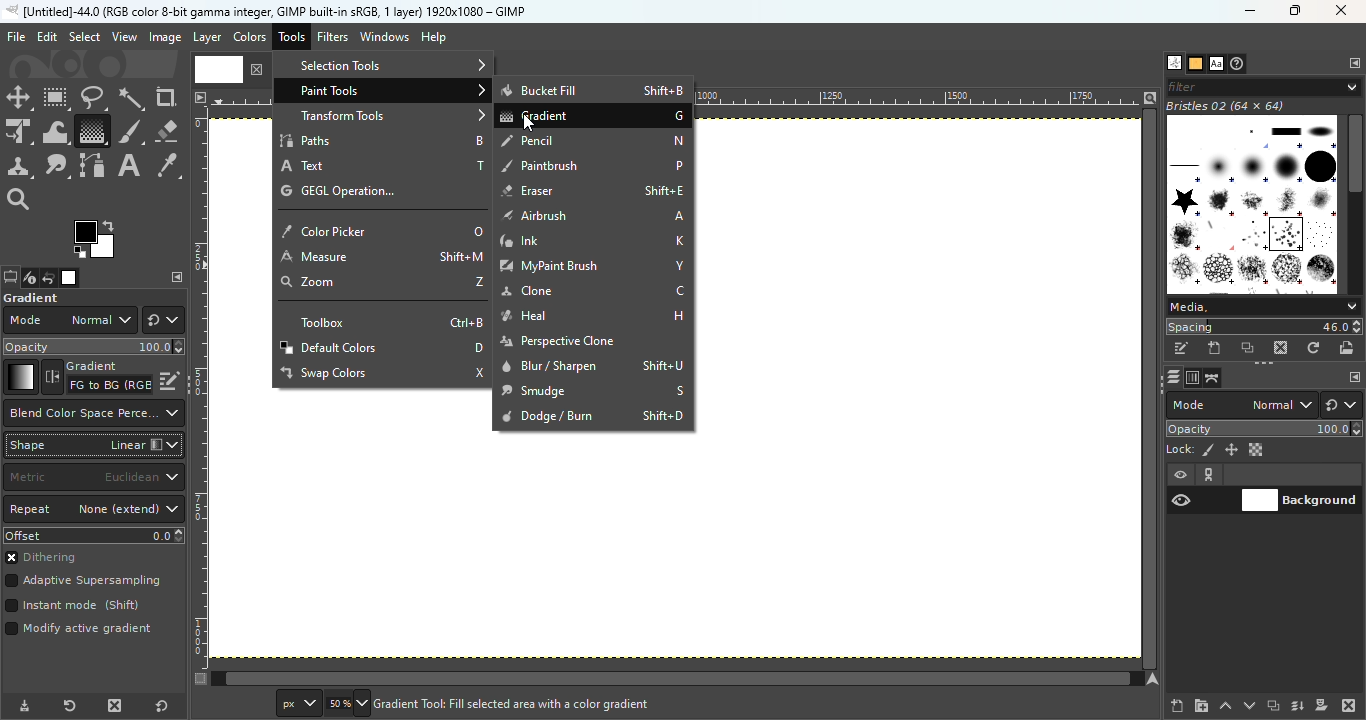  I want to click on Default colors, so click(382, 348).